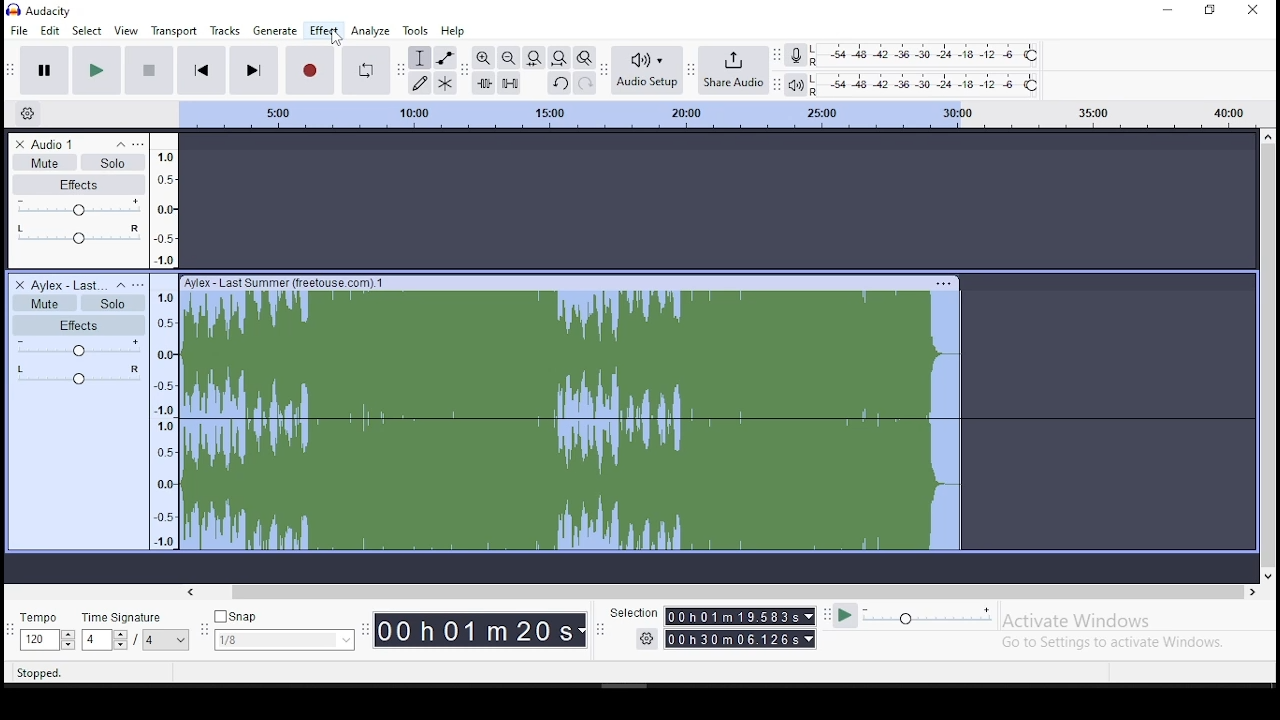 Image resolution: width=1280 pixels, height=720 pixels. Describe the element at coordinates (79, 235) in the screenshot. I see `pan` at that location.